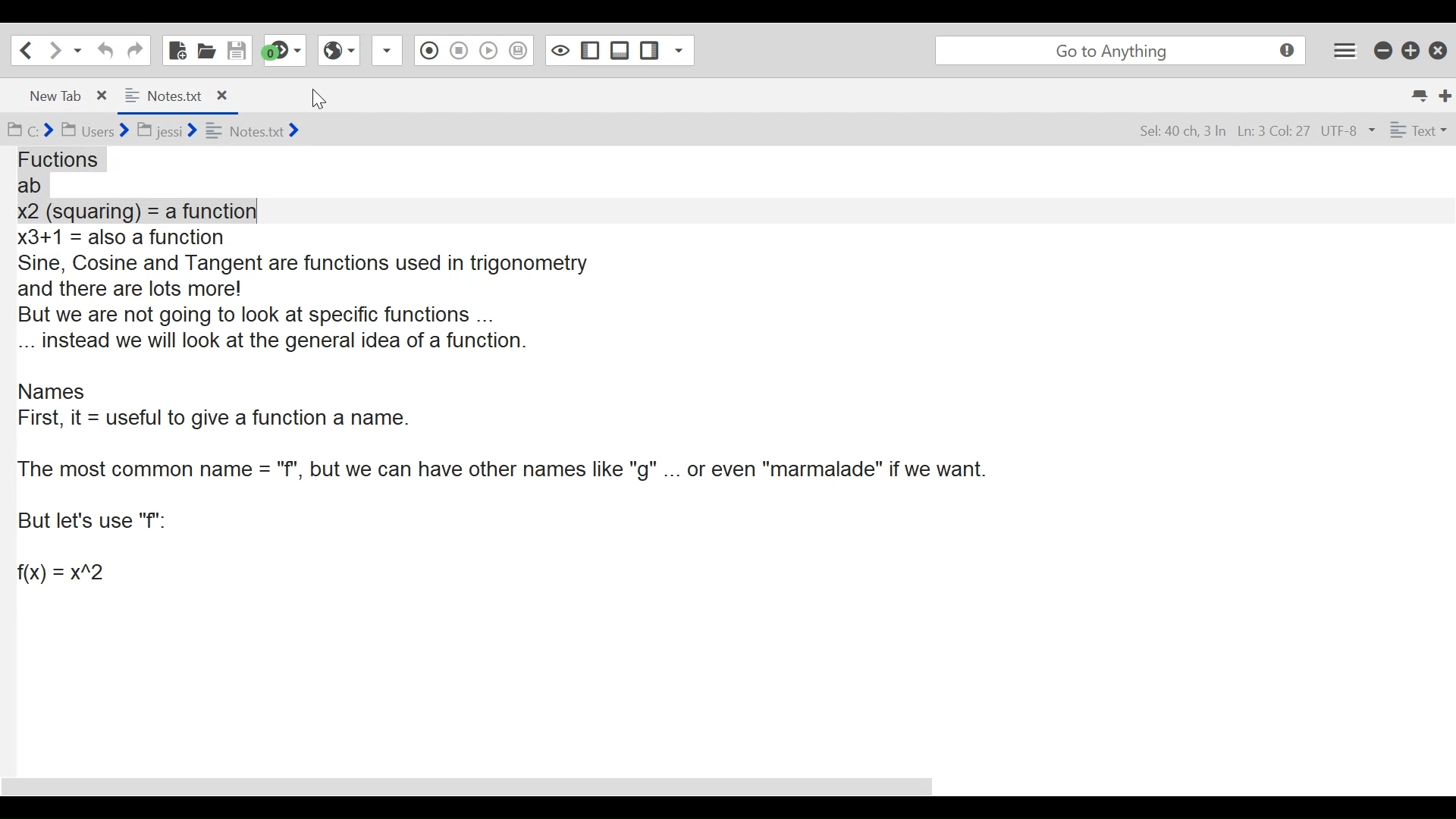 The height and width of the screenshot is (819, 1456). Describe the element at coordinates (385, 52) in the screenshot. I see `dropdown` at that location.